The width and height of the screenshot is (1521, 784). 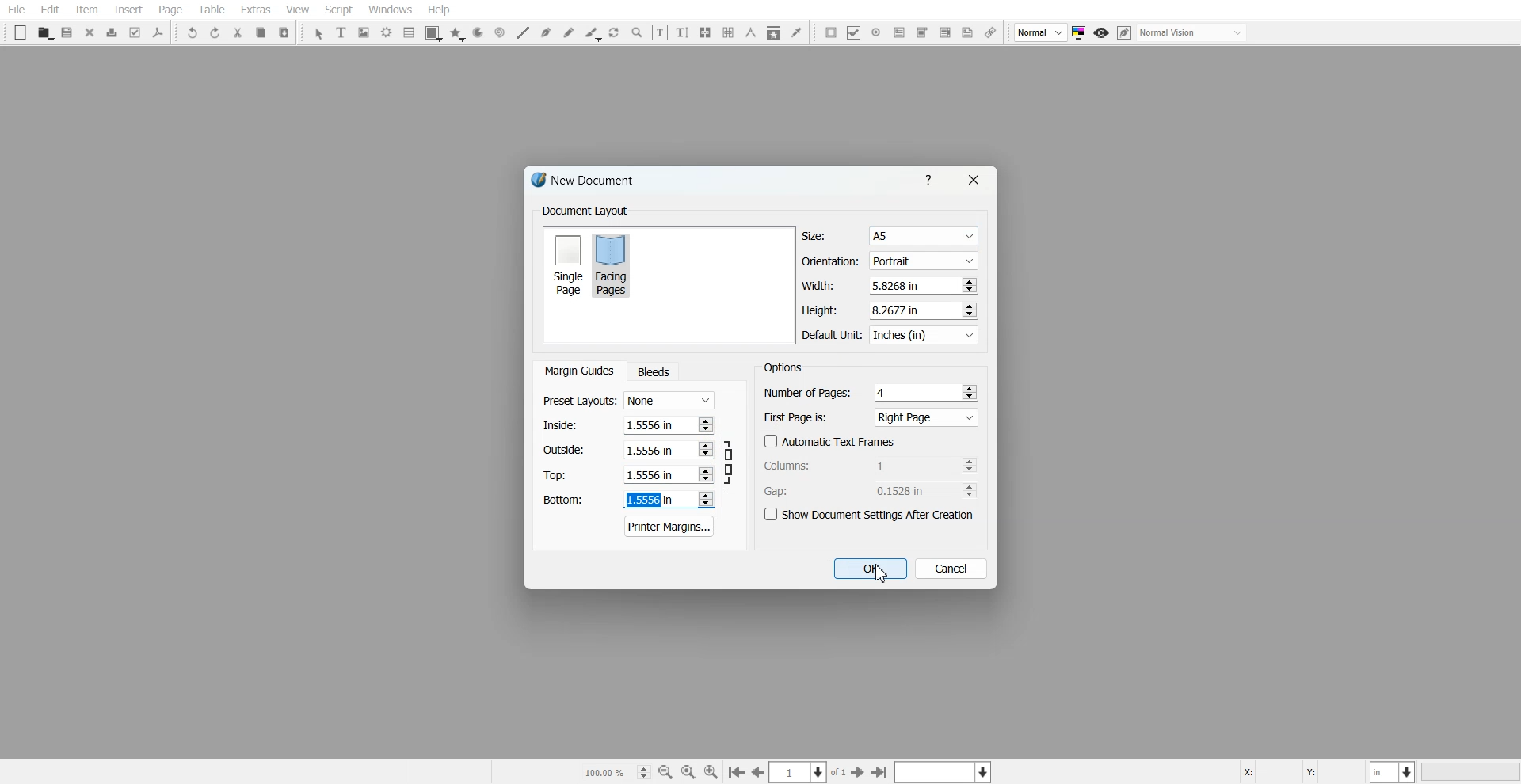 I want to click on Increase and decrease No. , so click(x=969, y=465).